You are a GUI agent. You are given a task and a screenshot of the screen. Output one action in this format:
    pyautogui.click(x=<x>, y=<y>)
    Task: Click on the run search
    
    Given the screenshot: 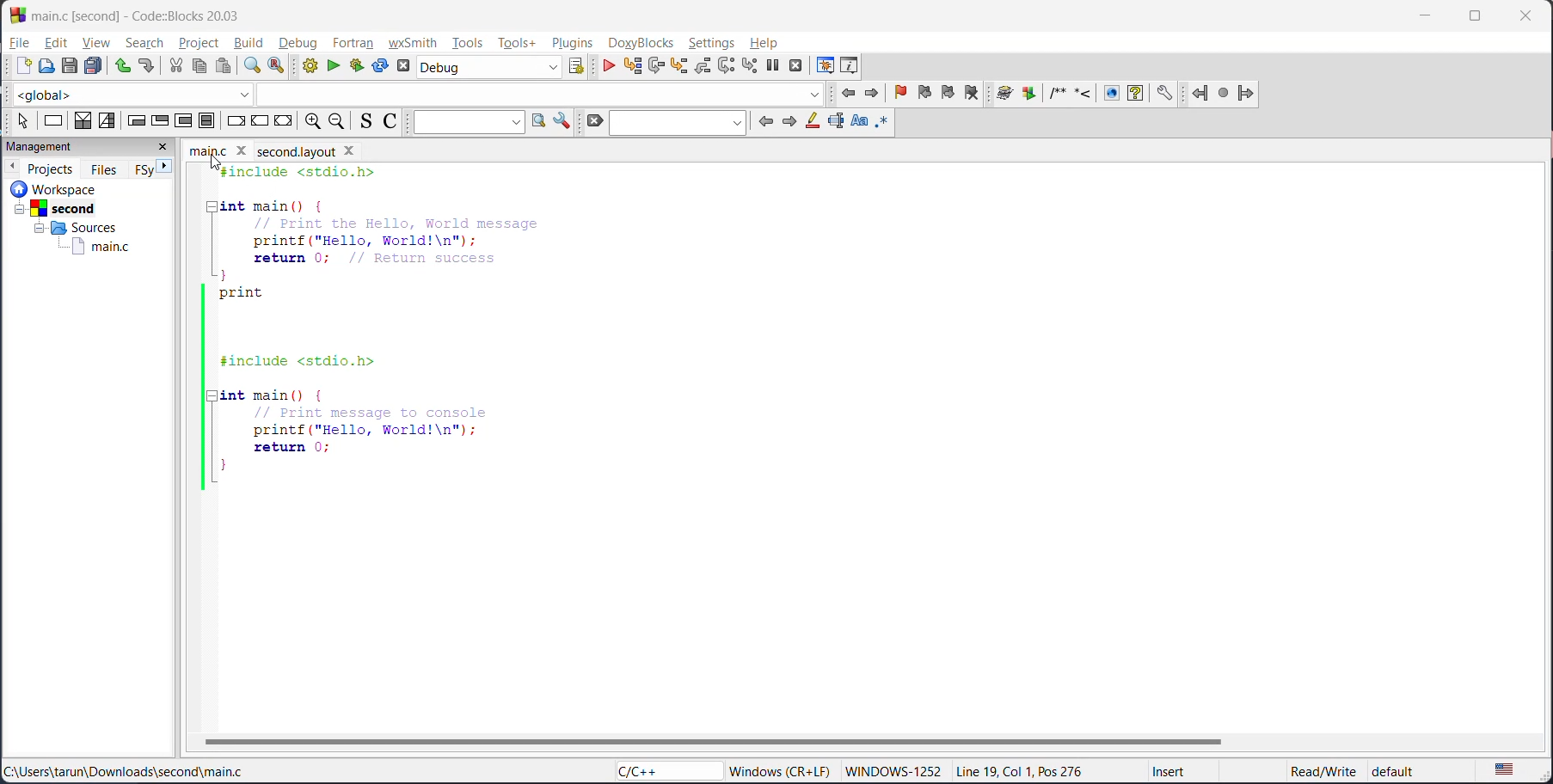 What is the action you would take?
    pyautogui.click(x=537, y=121)
    